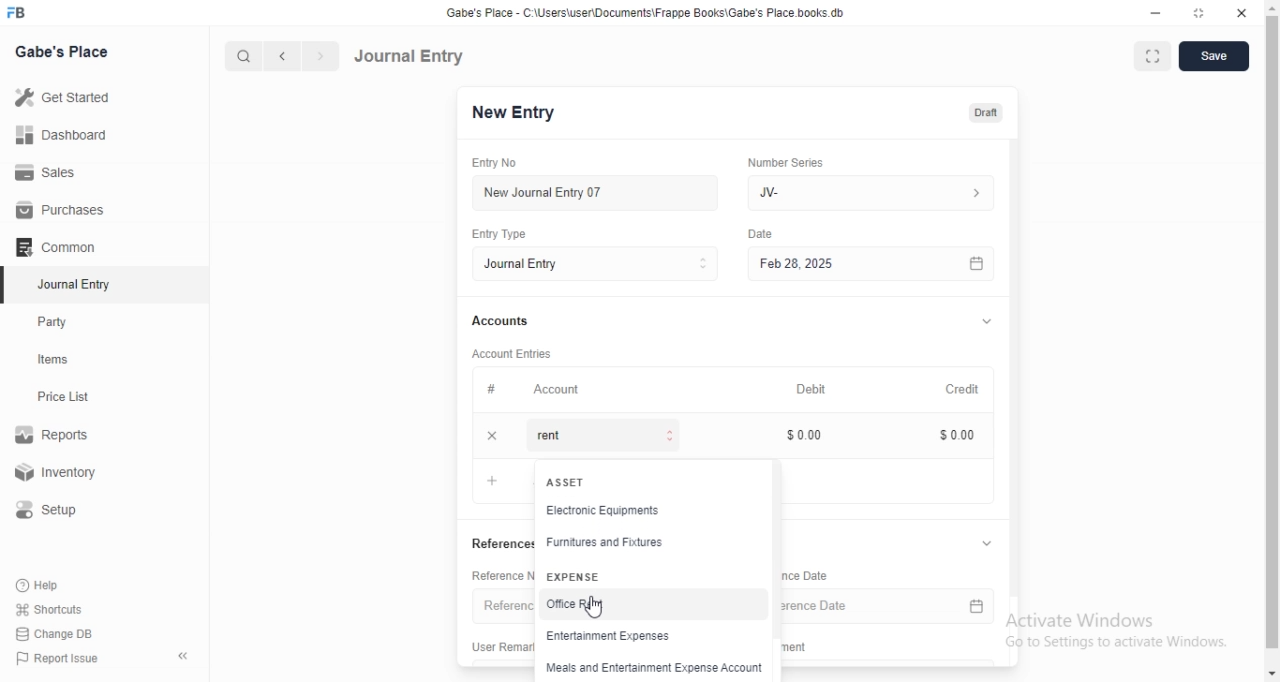 The width and height of the screenshot is (1280, 682). I want to click on Attachment, so click(801, 647).